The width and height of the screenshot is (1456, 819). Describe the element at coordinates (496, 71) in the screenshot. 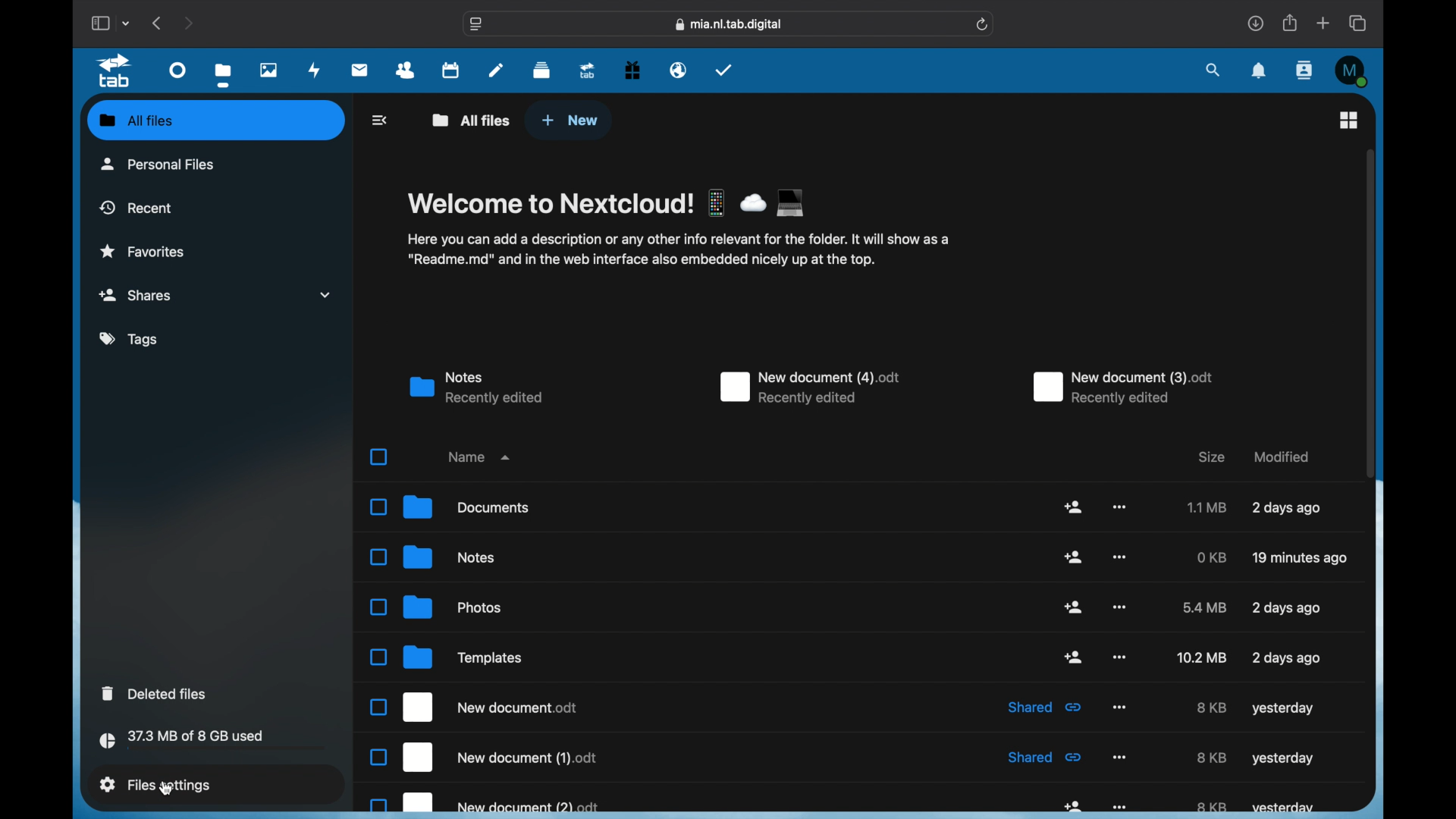

I see `notes` at that location.